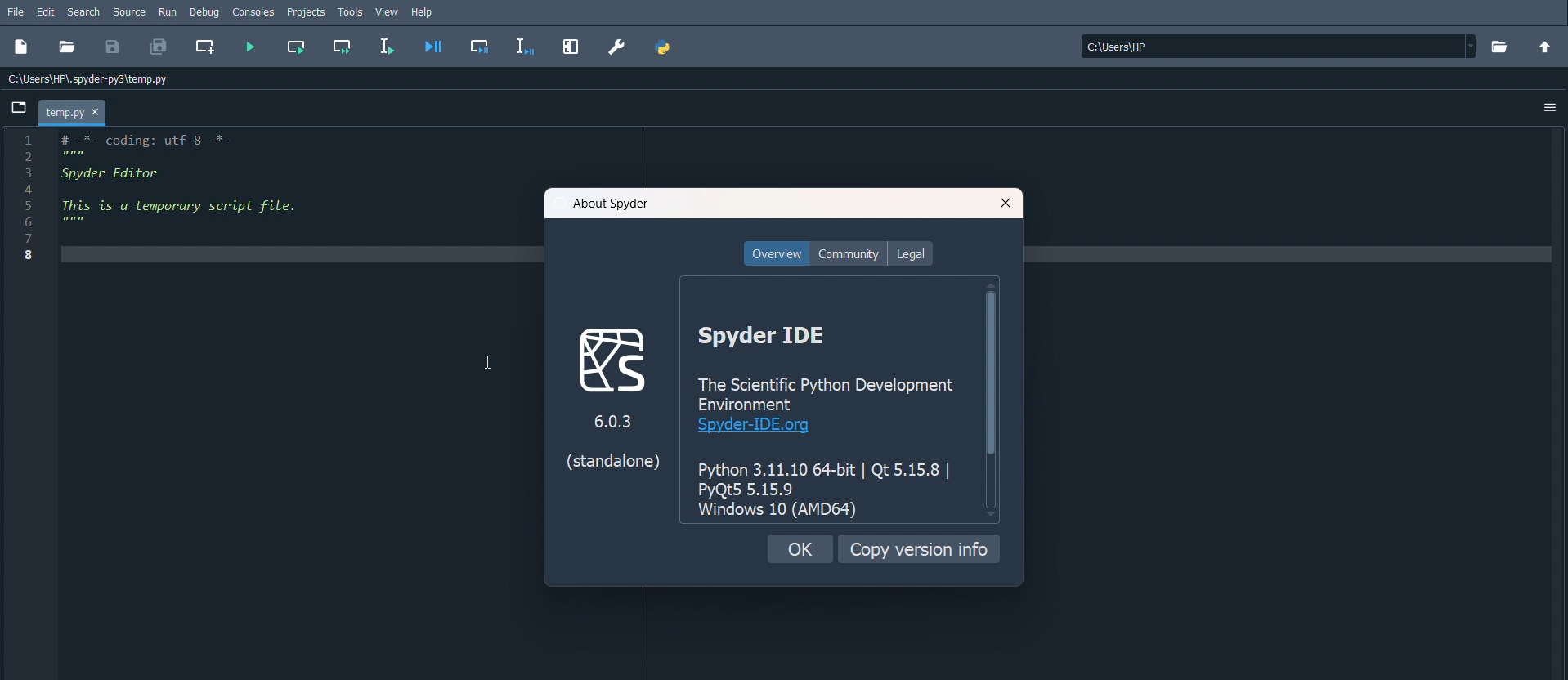 This screenshot has height=680, width=1568. Describe the element at coordinates (608, 357) in the screenshot. I see `File Logo` at that location.